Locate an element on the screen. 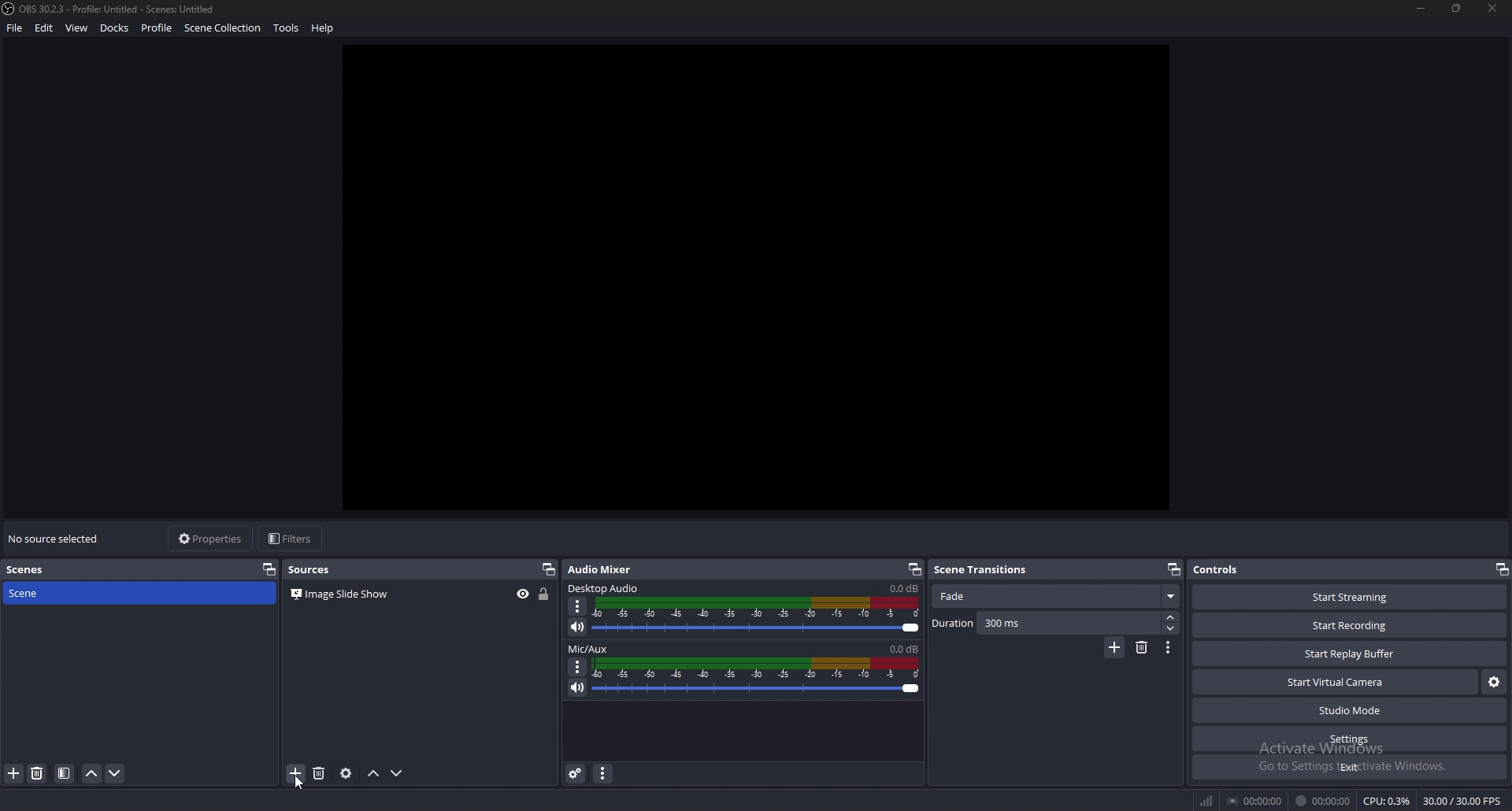 Image resolution: width=1512 pixels, height=811 pixels. scenes is located at coordinates (40, 569).